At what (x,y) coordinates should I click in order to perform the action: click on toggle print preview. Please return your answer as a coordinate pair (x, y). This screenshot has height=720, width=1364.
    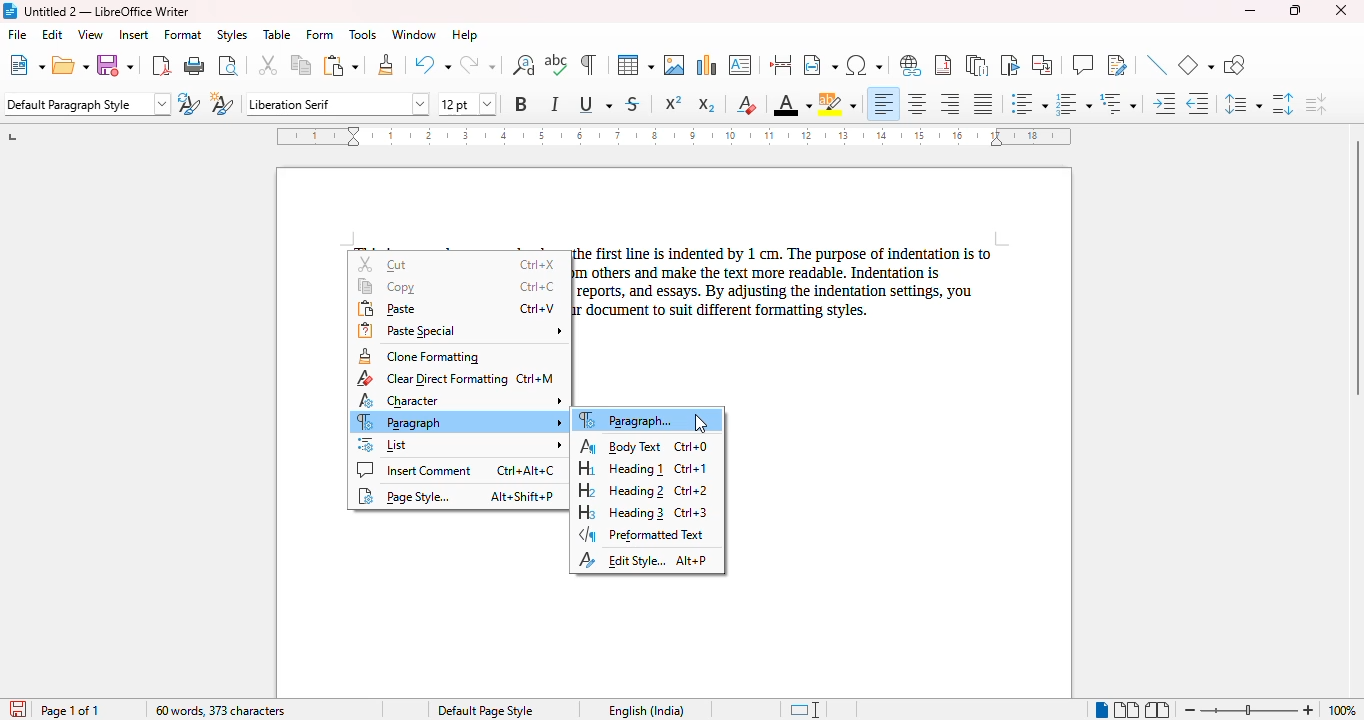
    Looking at the image, I should click on (228, 65).